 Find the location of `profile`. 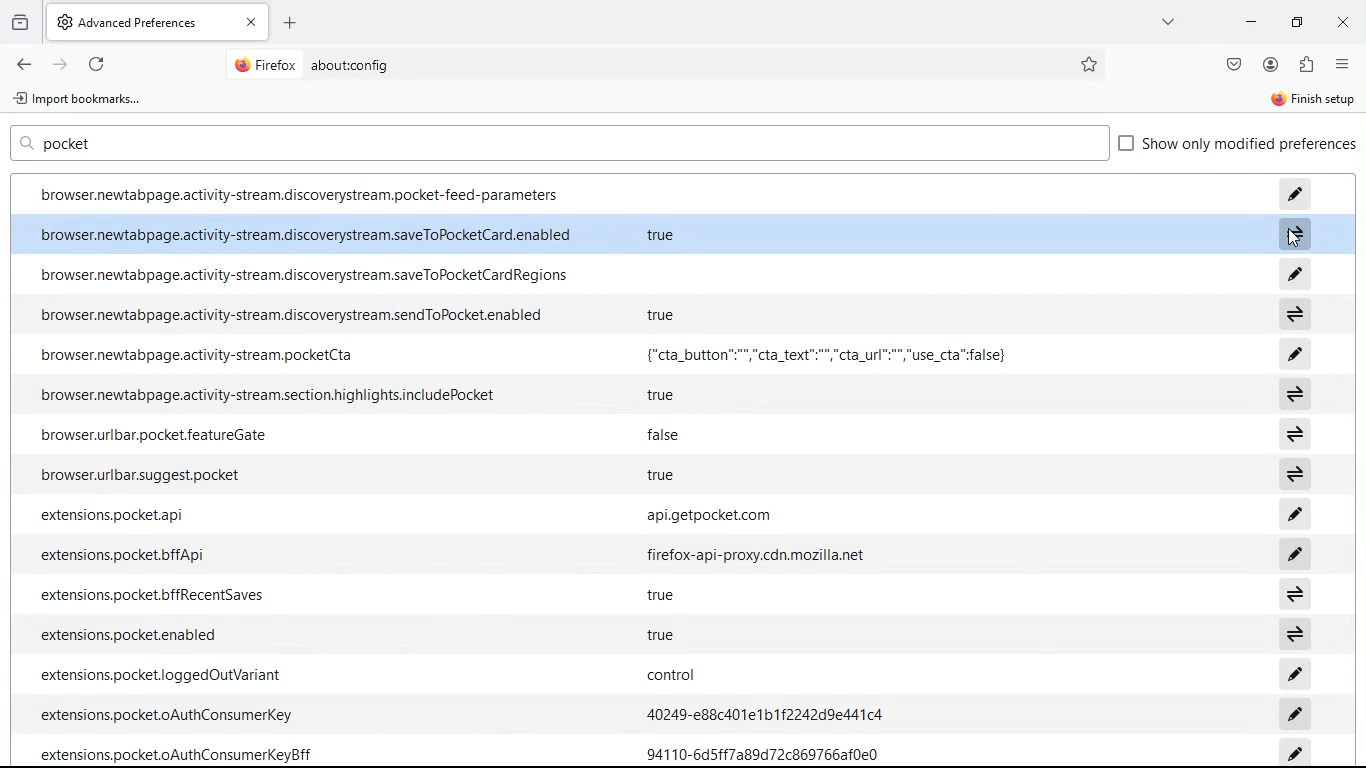

profile is located at coordinates (1272, 65).